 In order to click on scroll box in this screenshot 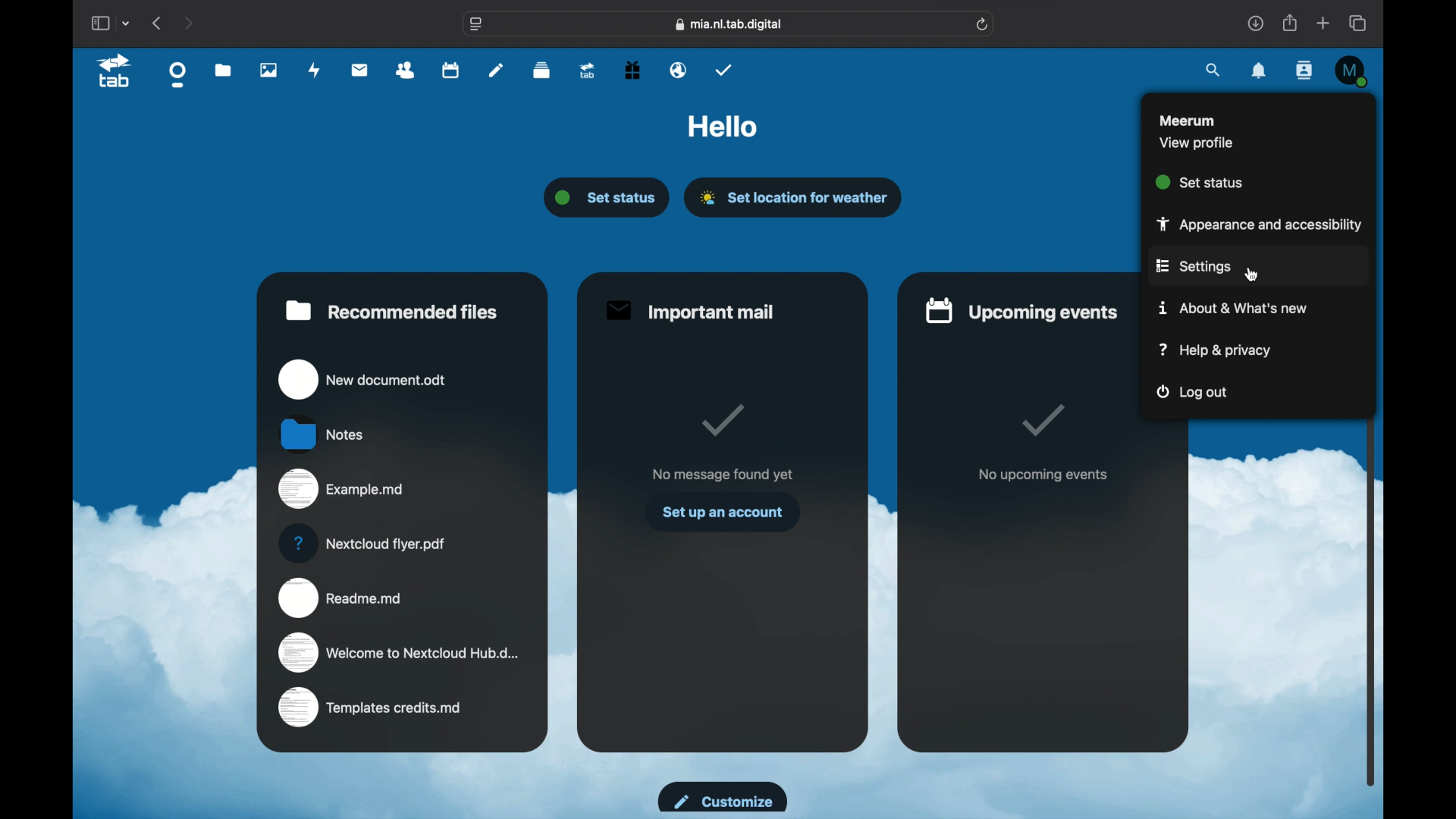, I will do `click(1374, 440)`.